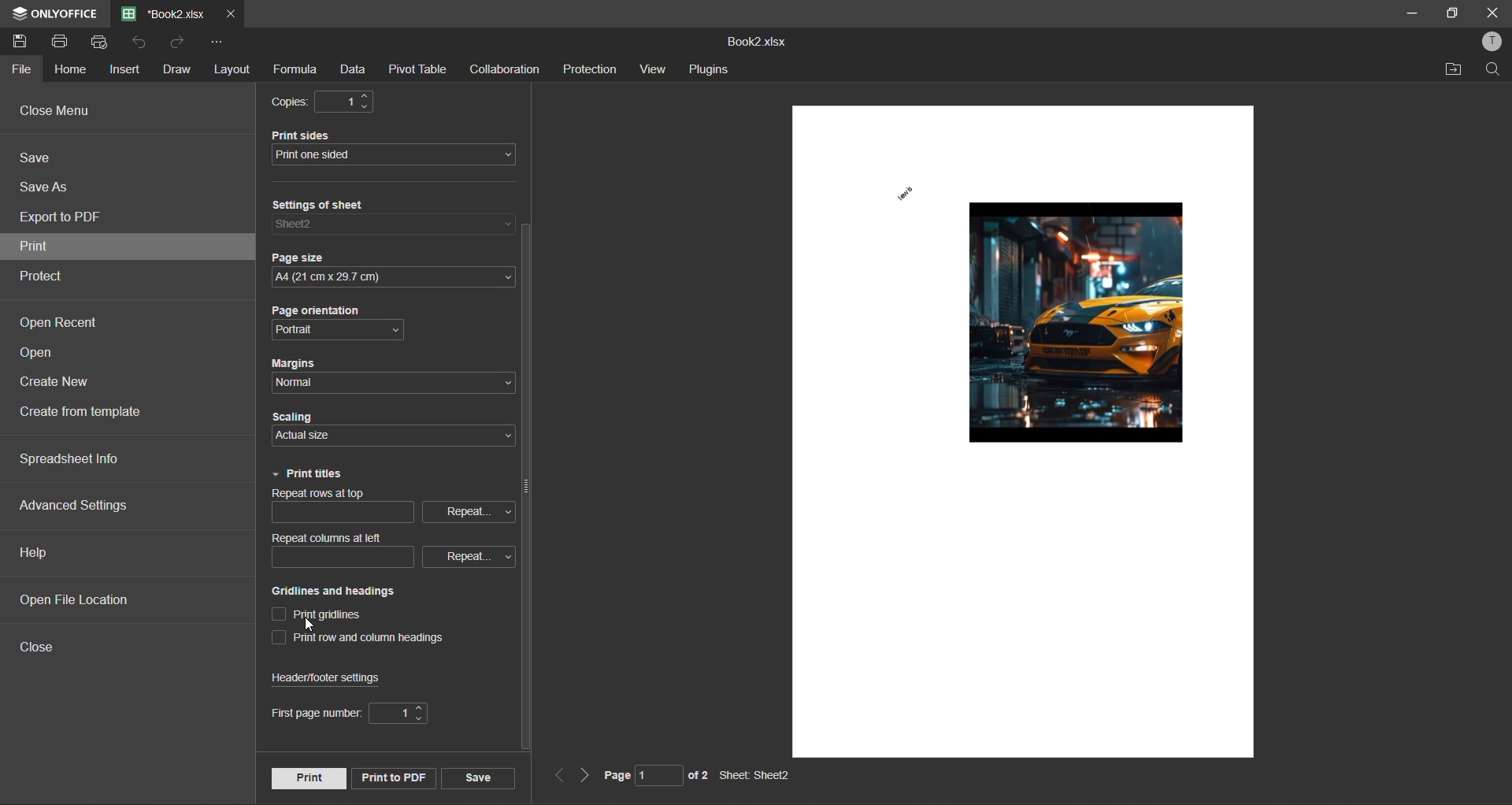  What do you see at coordinates (72, 461) in the screenshot?
I see `spreadsheet info` at bounding box center [72, 461].